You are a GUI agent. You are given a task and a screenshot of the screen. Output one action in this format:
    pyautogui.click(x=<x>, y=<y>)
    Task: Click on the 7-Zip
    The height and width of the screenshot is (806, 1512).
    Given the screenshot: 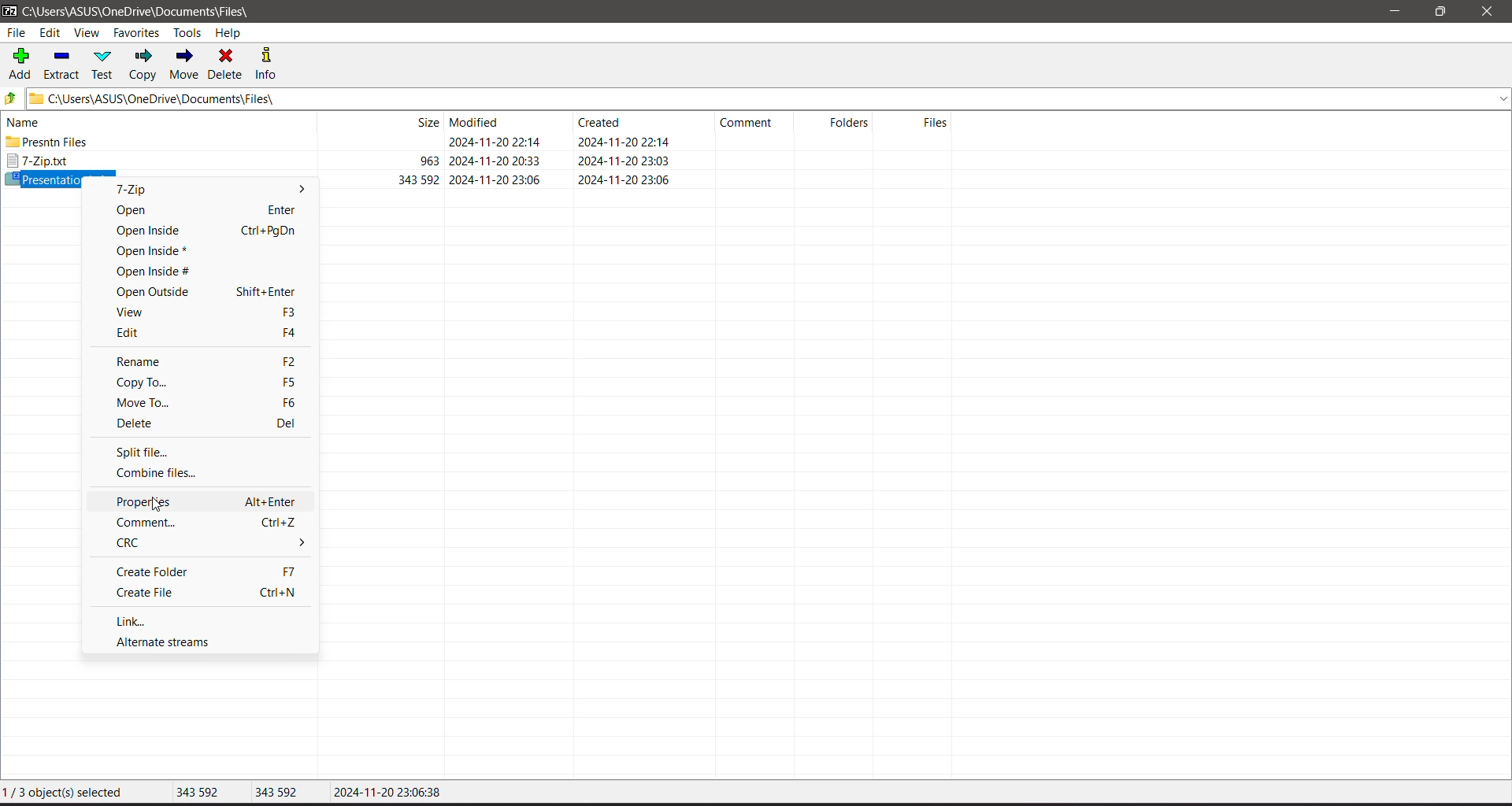 What is the action you would take?
    pyautogui.click(x=342, y=162)
    